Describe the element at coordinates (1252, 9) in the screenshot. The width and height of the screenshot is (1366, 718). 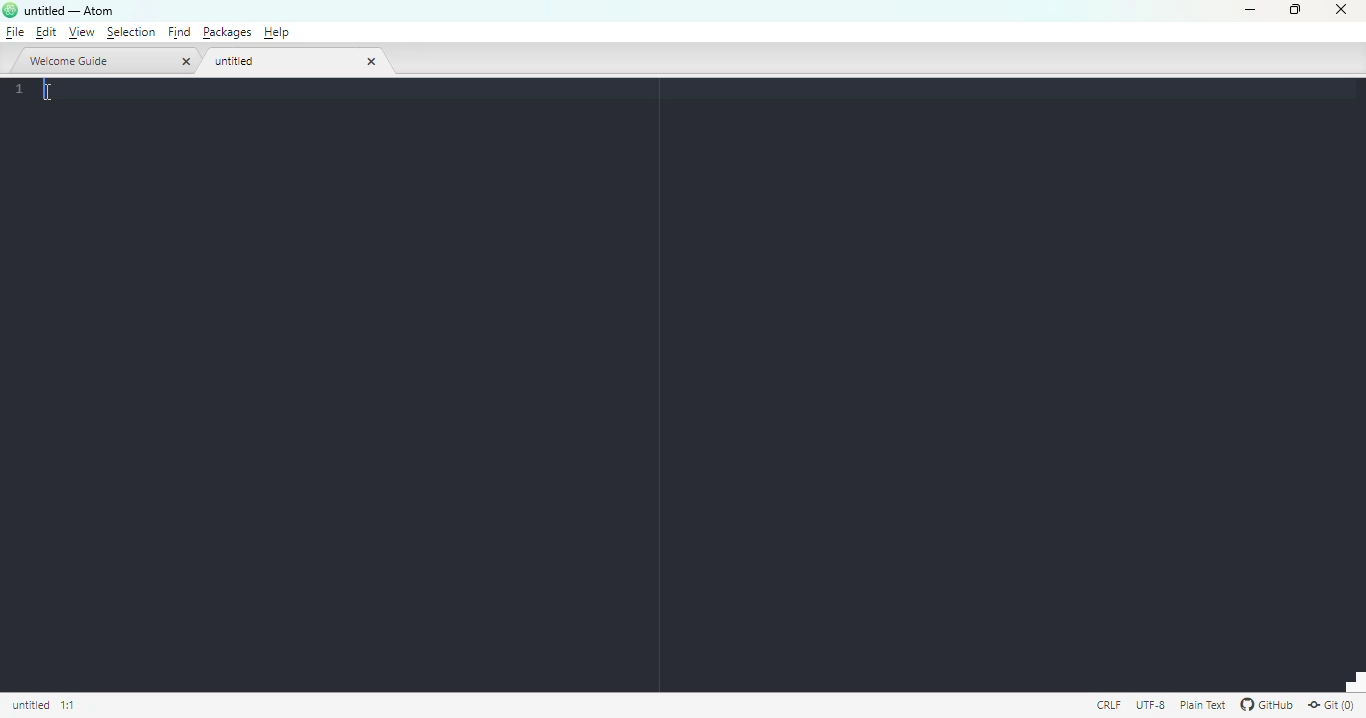
I see `minimize` at that location.